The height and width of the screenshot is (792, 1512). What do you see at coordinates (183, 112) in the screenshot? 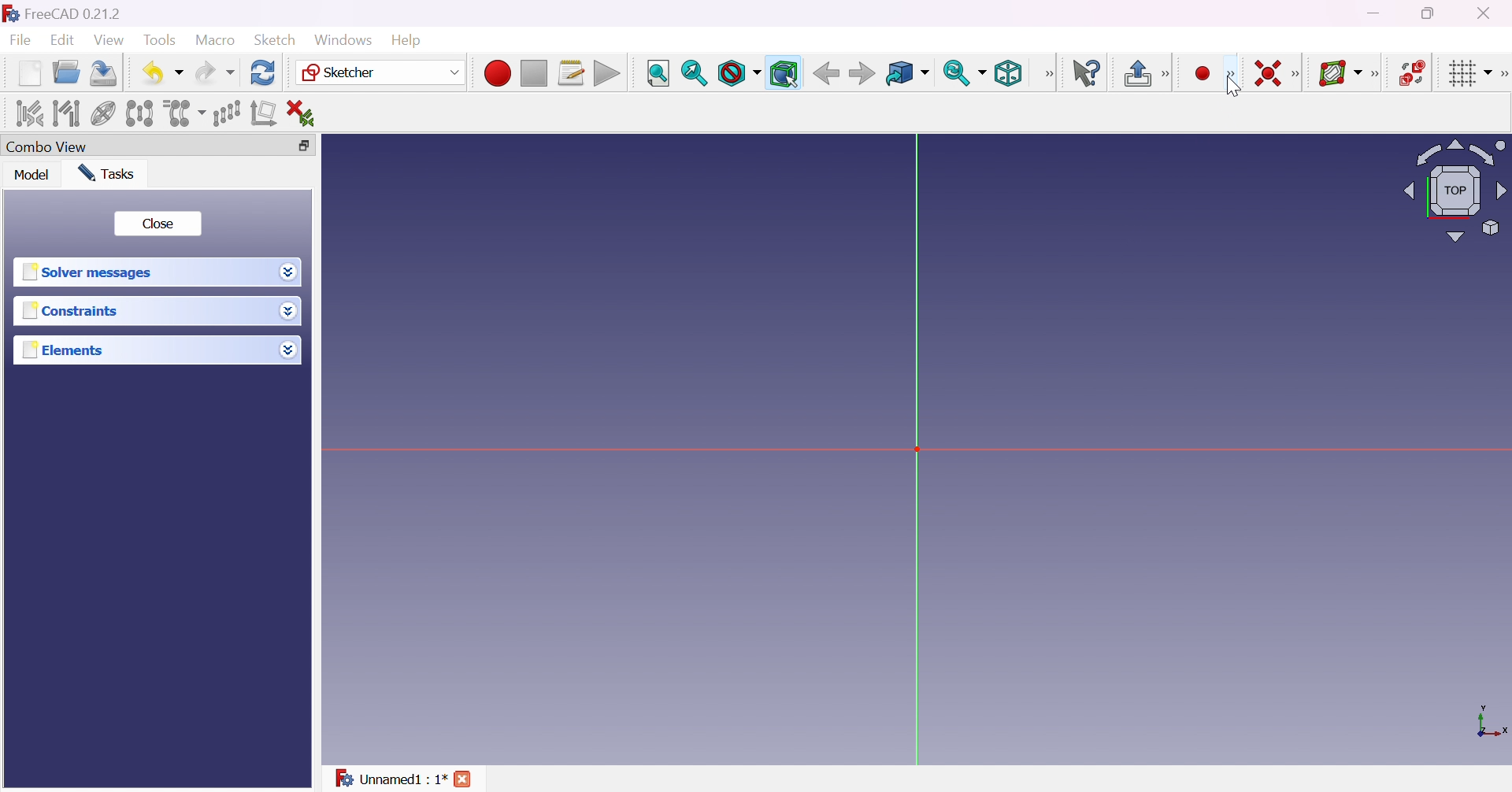
I see `Clone` at bounding box center [183, 112].